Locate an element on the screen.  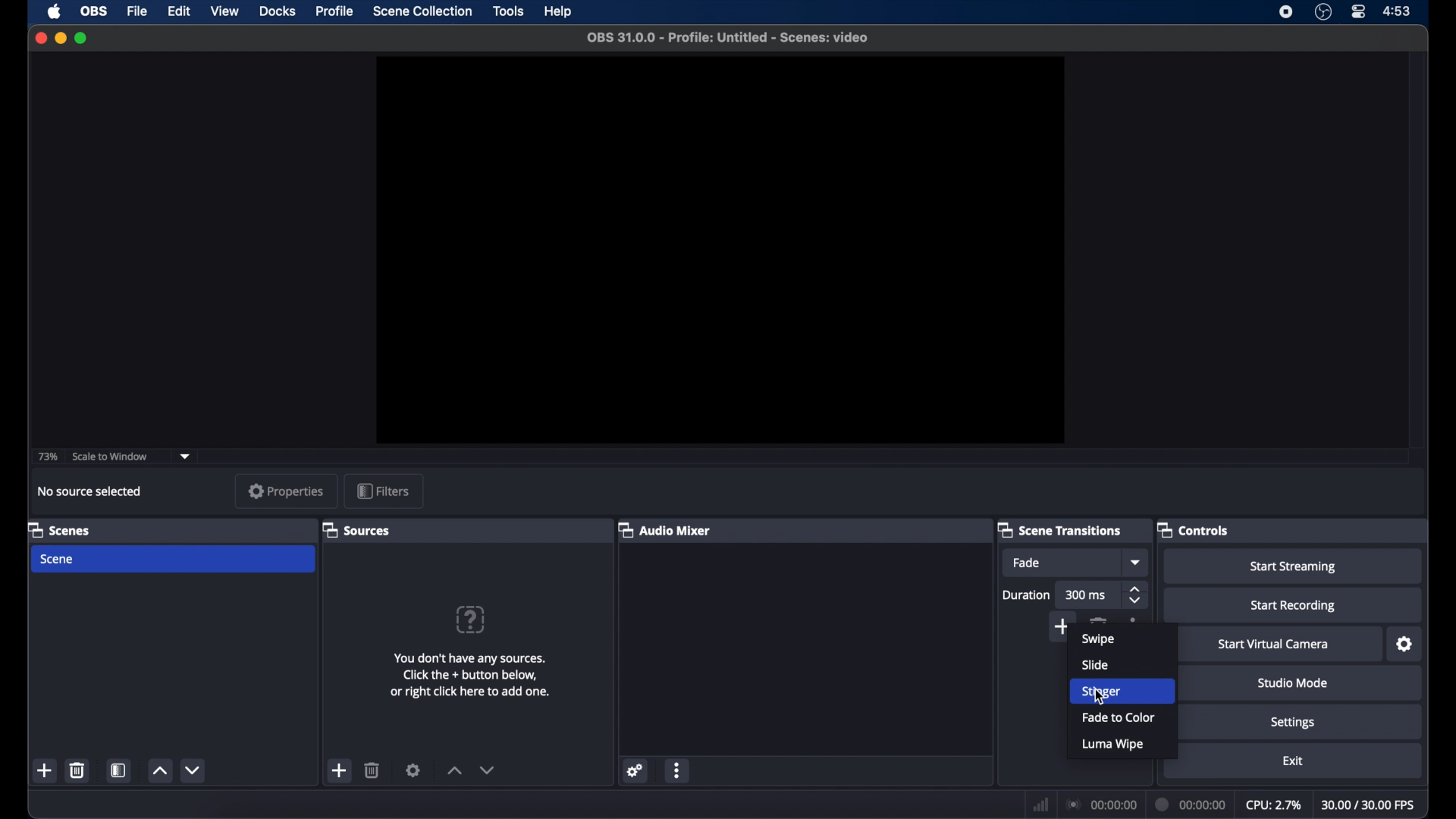
screen recorder icon is located at coordinates (1287, 12).